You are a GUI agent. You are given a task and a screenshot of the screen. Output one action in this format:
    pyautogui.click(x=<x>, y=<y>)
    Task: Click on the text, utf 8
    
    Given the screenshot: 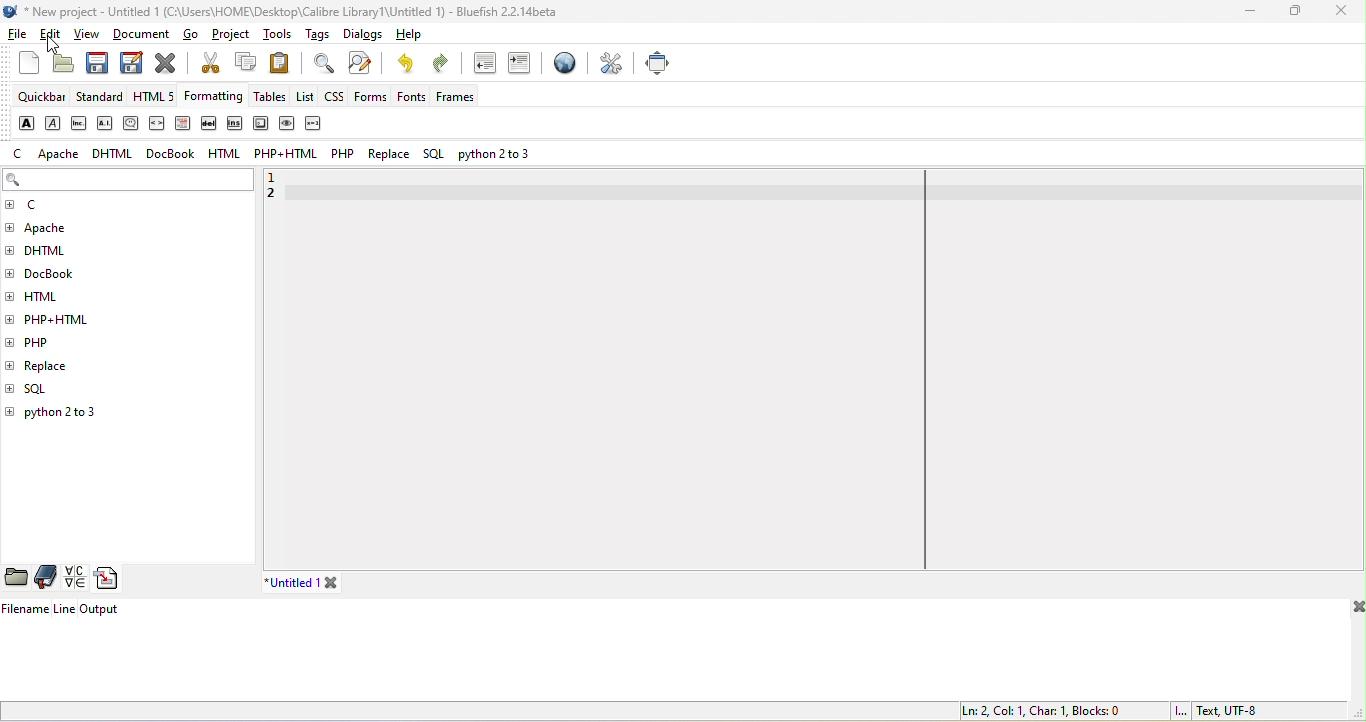 What is the action you would take?
    pyautogui.click(x=1215, y=711)
    